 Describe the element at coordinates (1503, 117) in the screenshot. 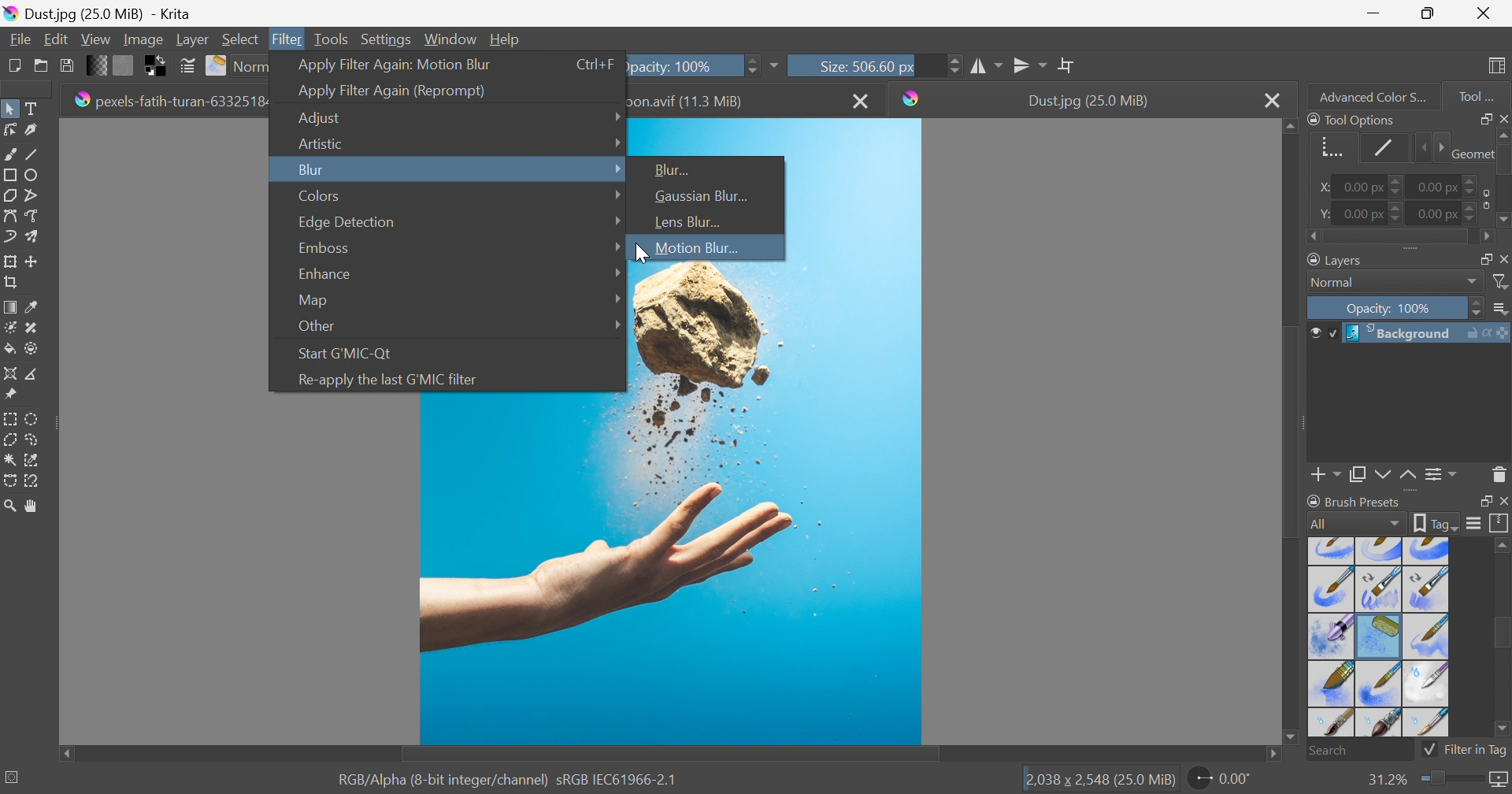

I see `Close` at that location.